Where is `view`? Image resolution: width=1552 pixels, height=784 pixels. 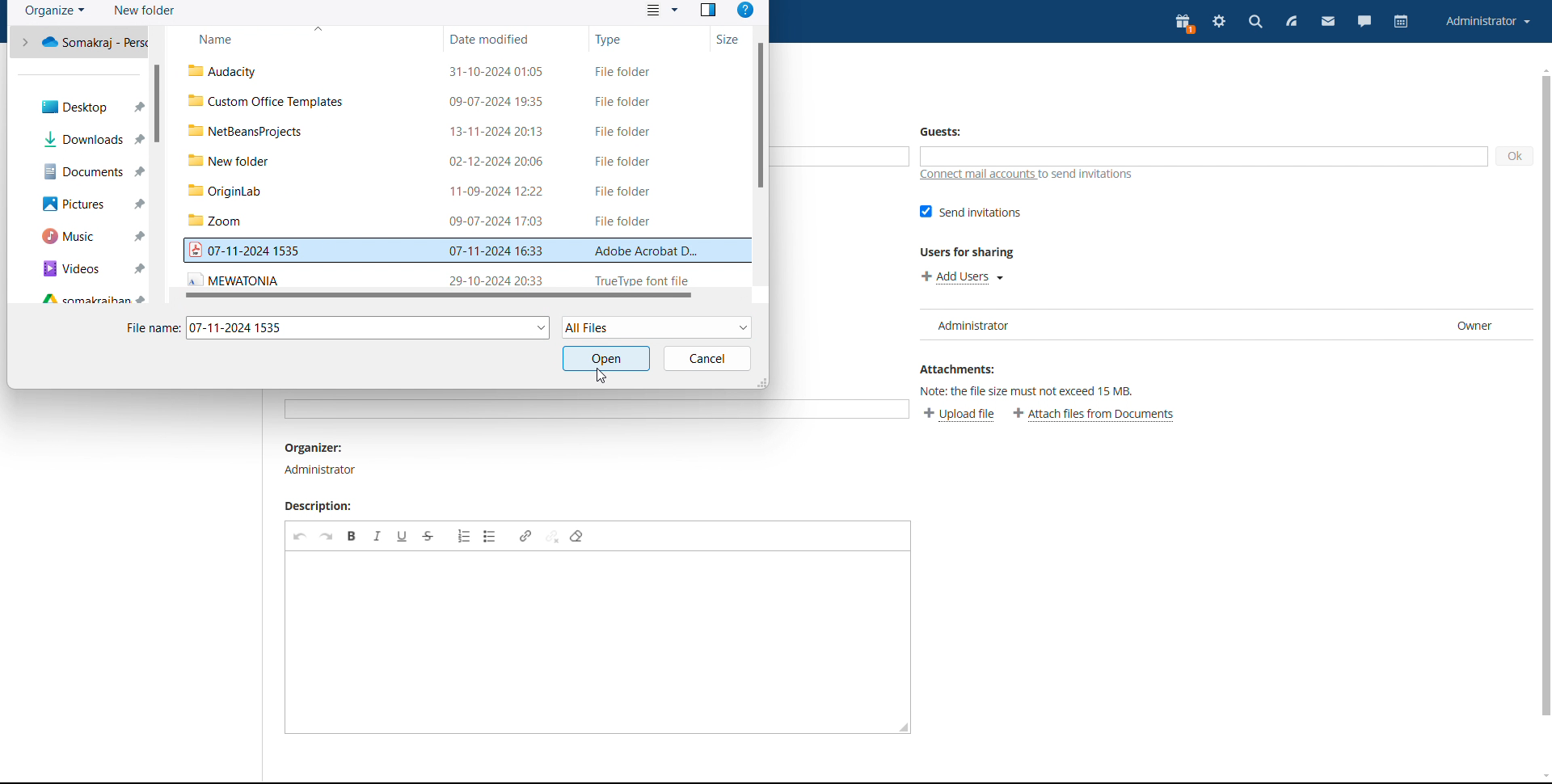
view is located at coordinates (664, 11).